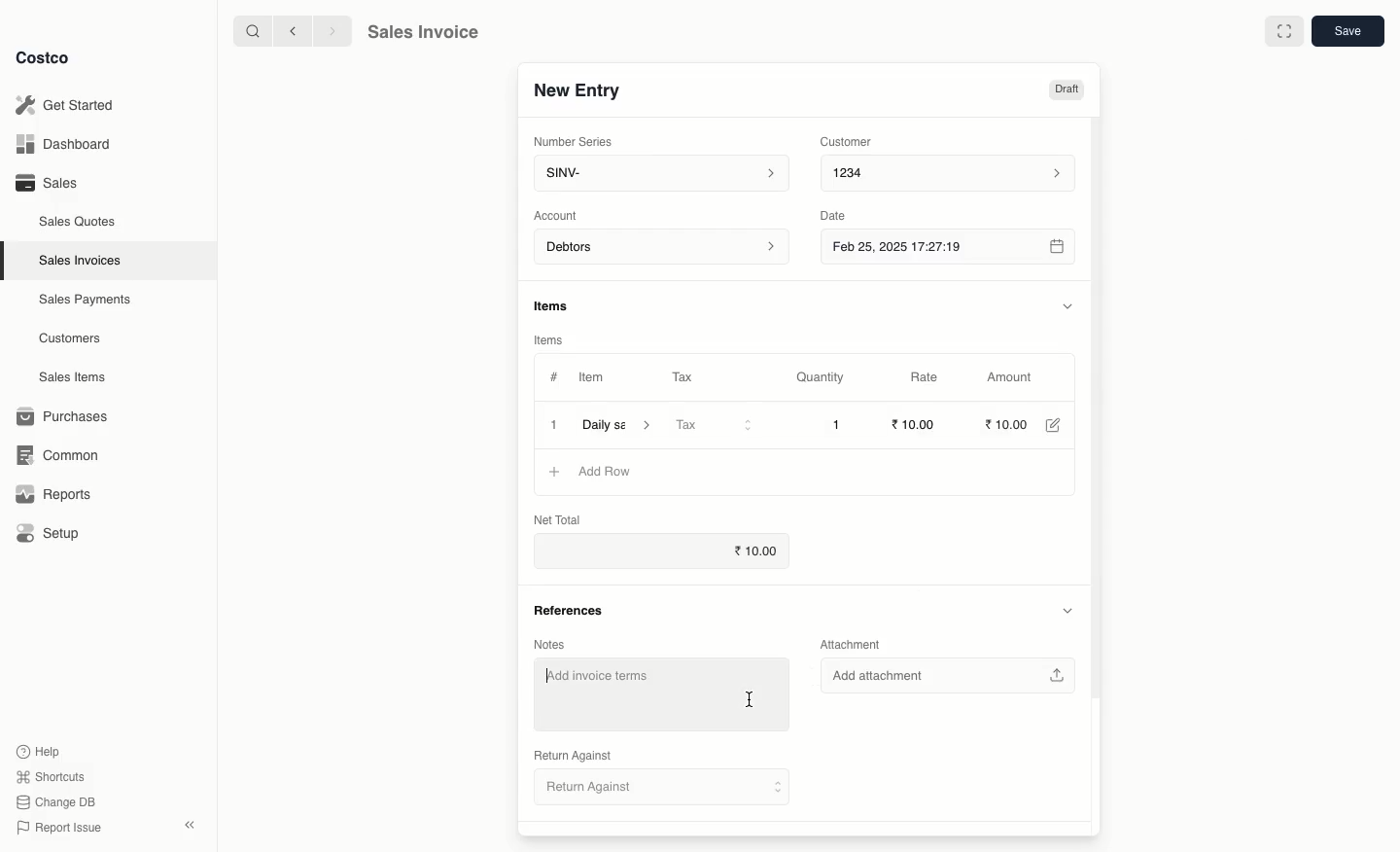 This screenshot has width=1400, height=852. I want to click on References, so click(576, 611).